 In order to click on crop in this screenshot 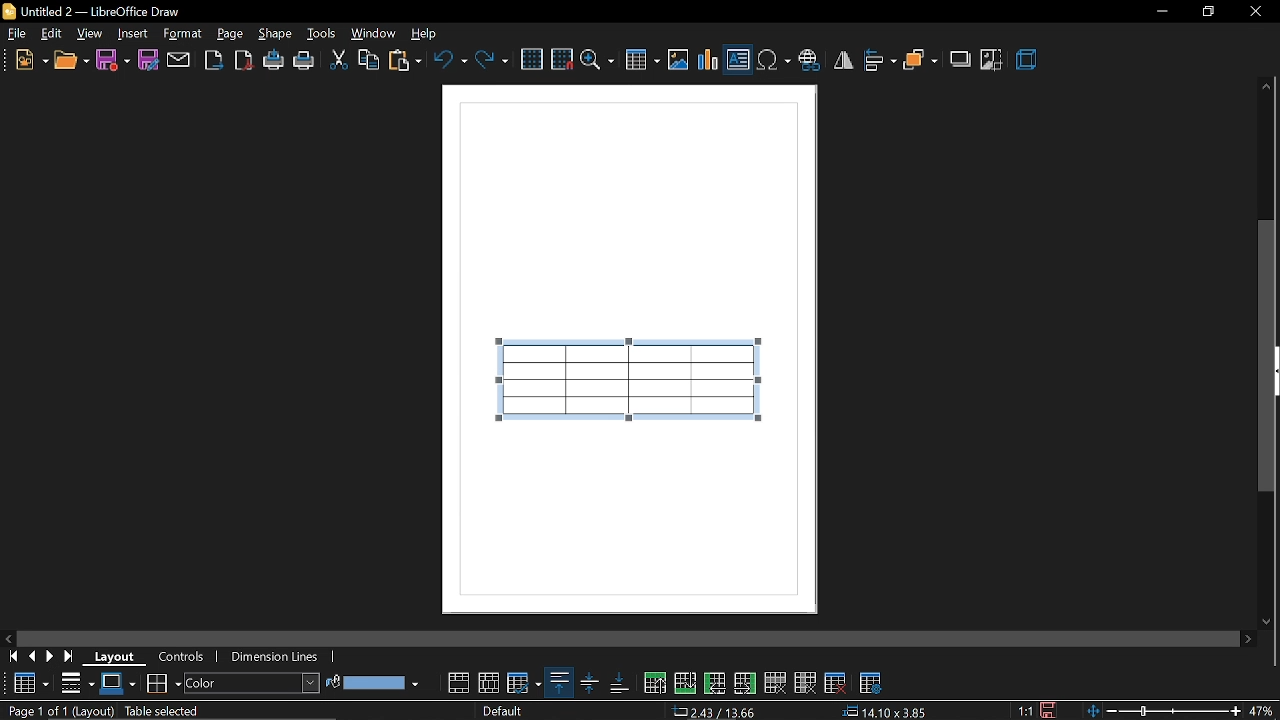, I will do `click(991, 61)`.